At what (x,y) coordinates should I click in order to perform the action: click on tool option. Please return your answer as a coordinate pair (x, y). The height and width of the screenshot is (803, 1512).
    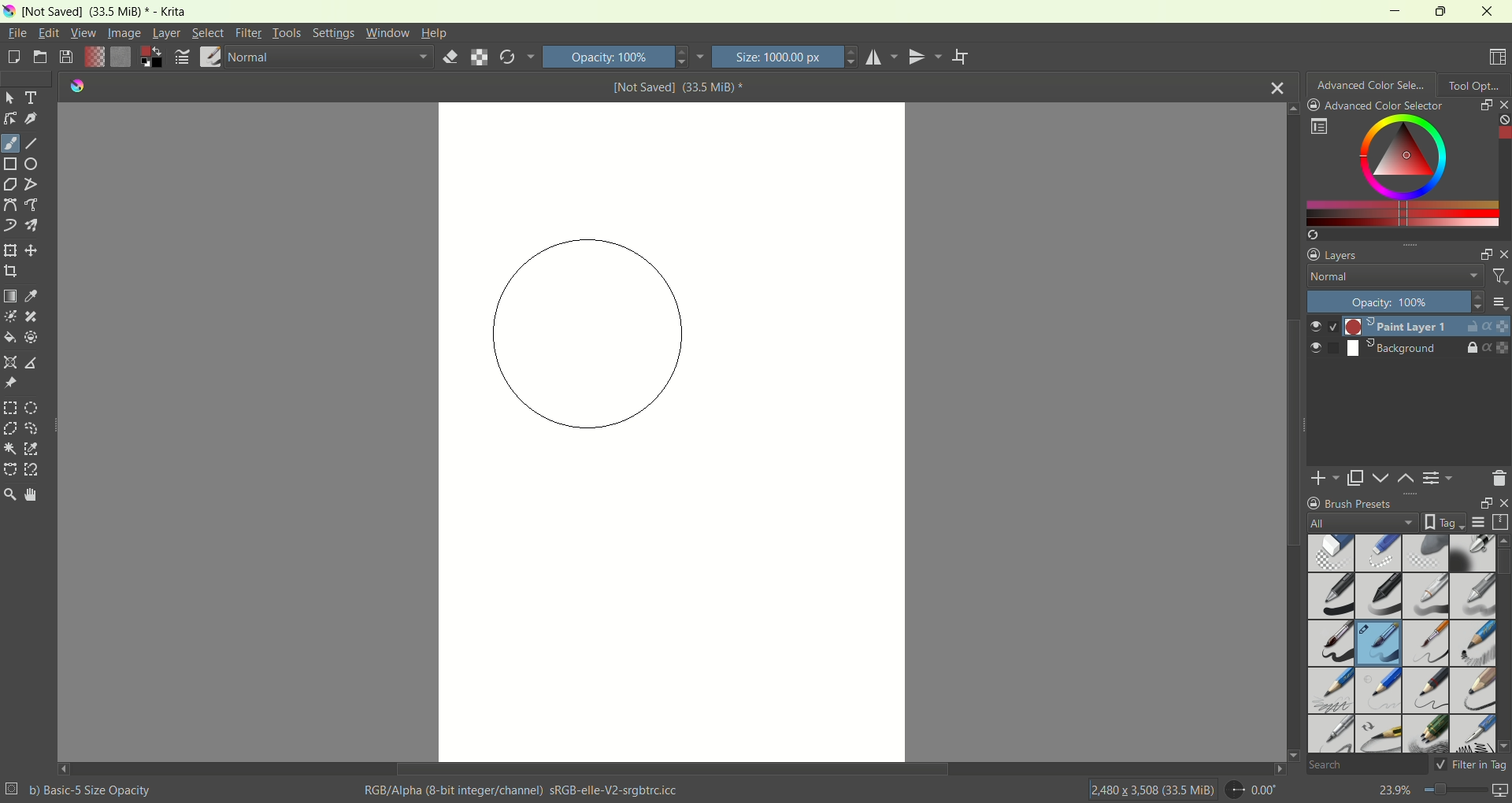
    Looking at the image, I should click on (1475, 83).